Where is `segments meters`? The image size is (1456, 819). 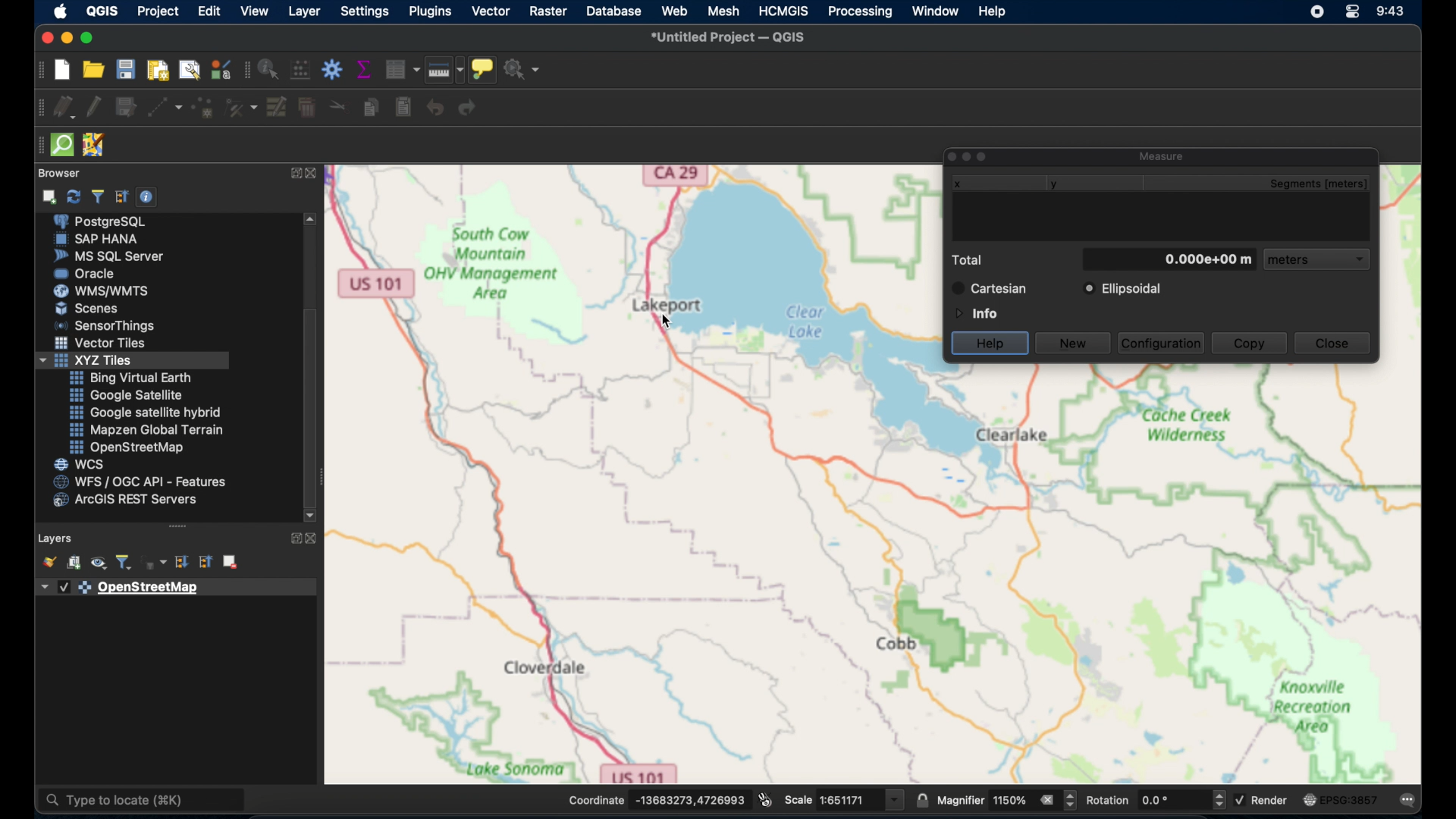 segments meters is located at coordinates (1326, 184).